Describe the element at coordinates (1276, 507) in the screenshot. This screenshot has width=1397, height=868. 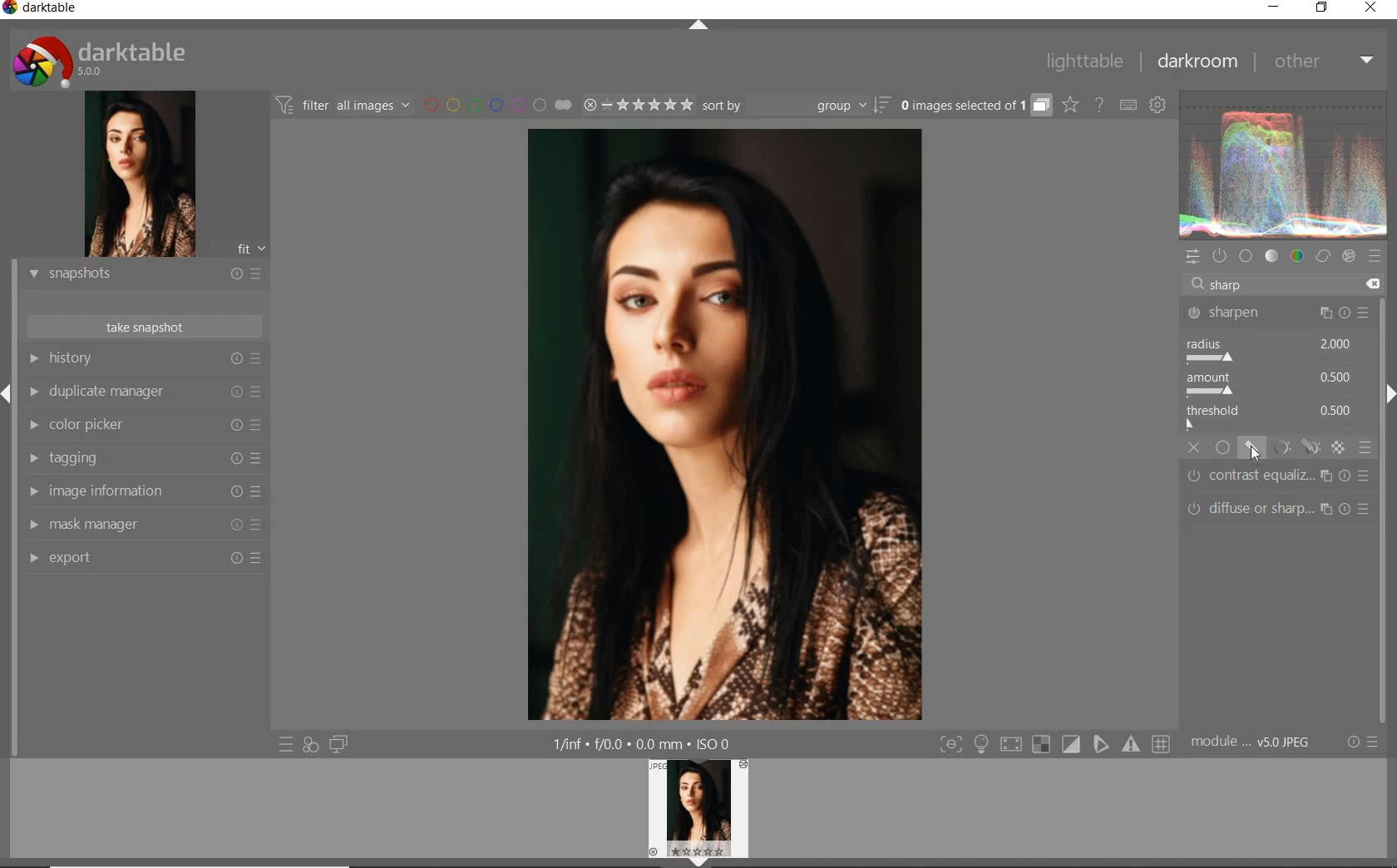
I see `diffuse or sharpness` at that location.